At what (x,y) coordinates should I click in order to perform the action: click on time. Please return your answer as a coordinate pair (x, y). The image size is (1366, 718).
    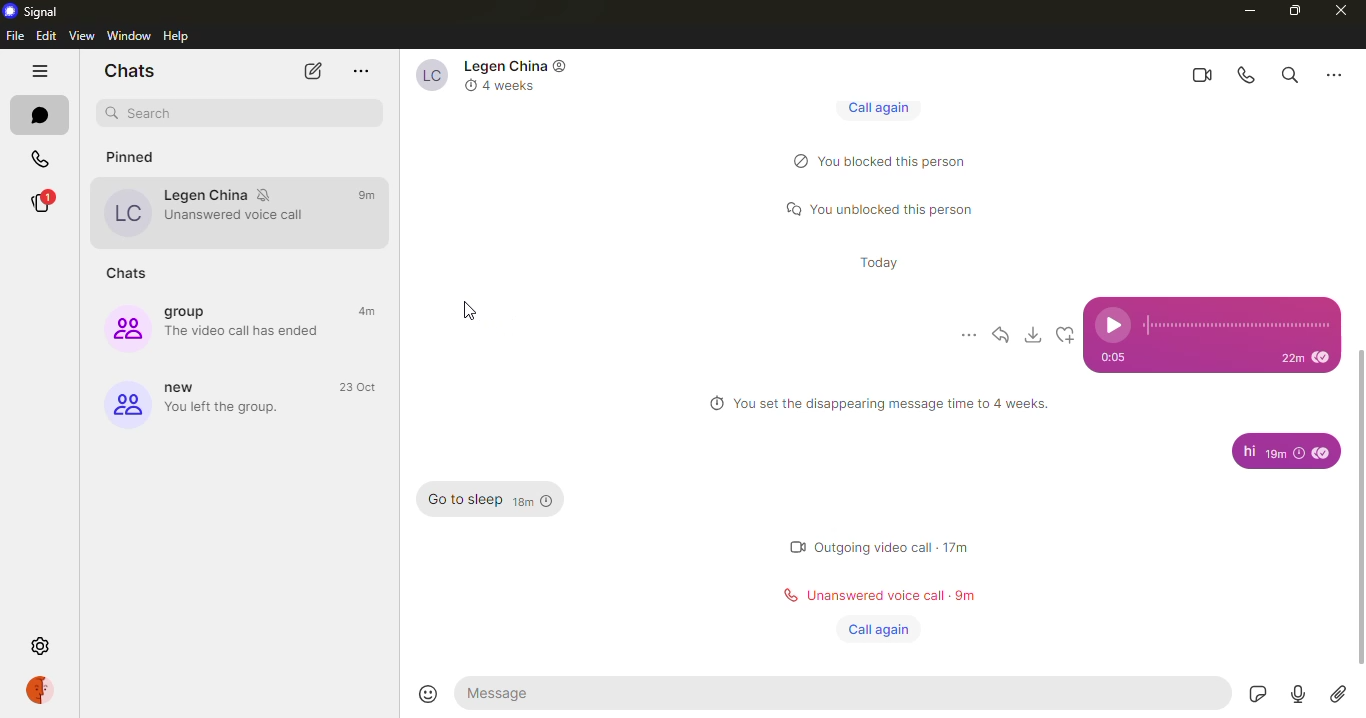
    Looking at the image, I should click on (1113, 358).